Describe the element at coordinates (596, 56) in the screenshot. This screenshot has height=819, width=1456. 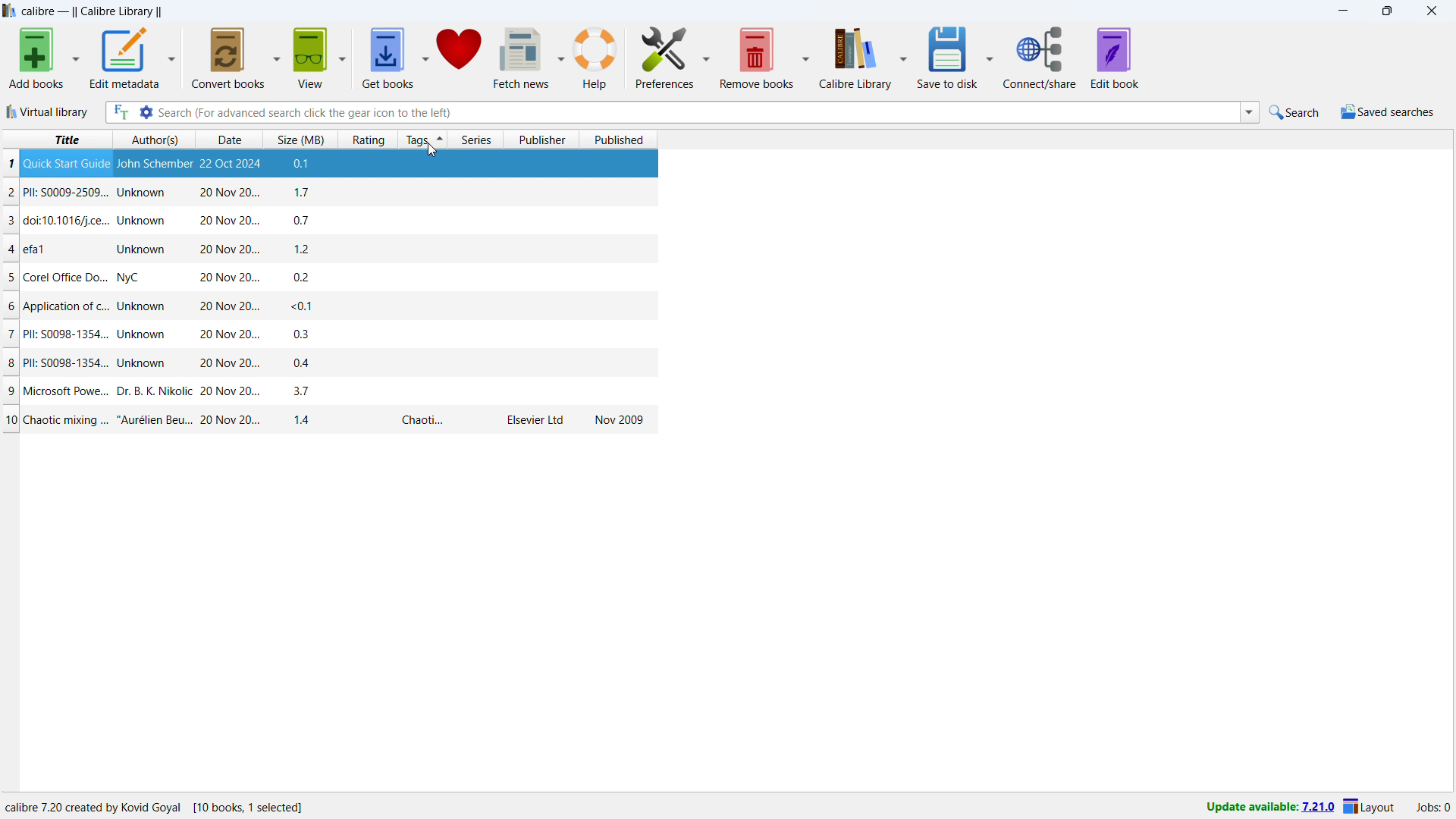
I see `help` at that location.